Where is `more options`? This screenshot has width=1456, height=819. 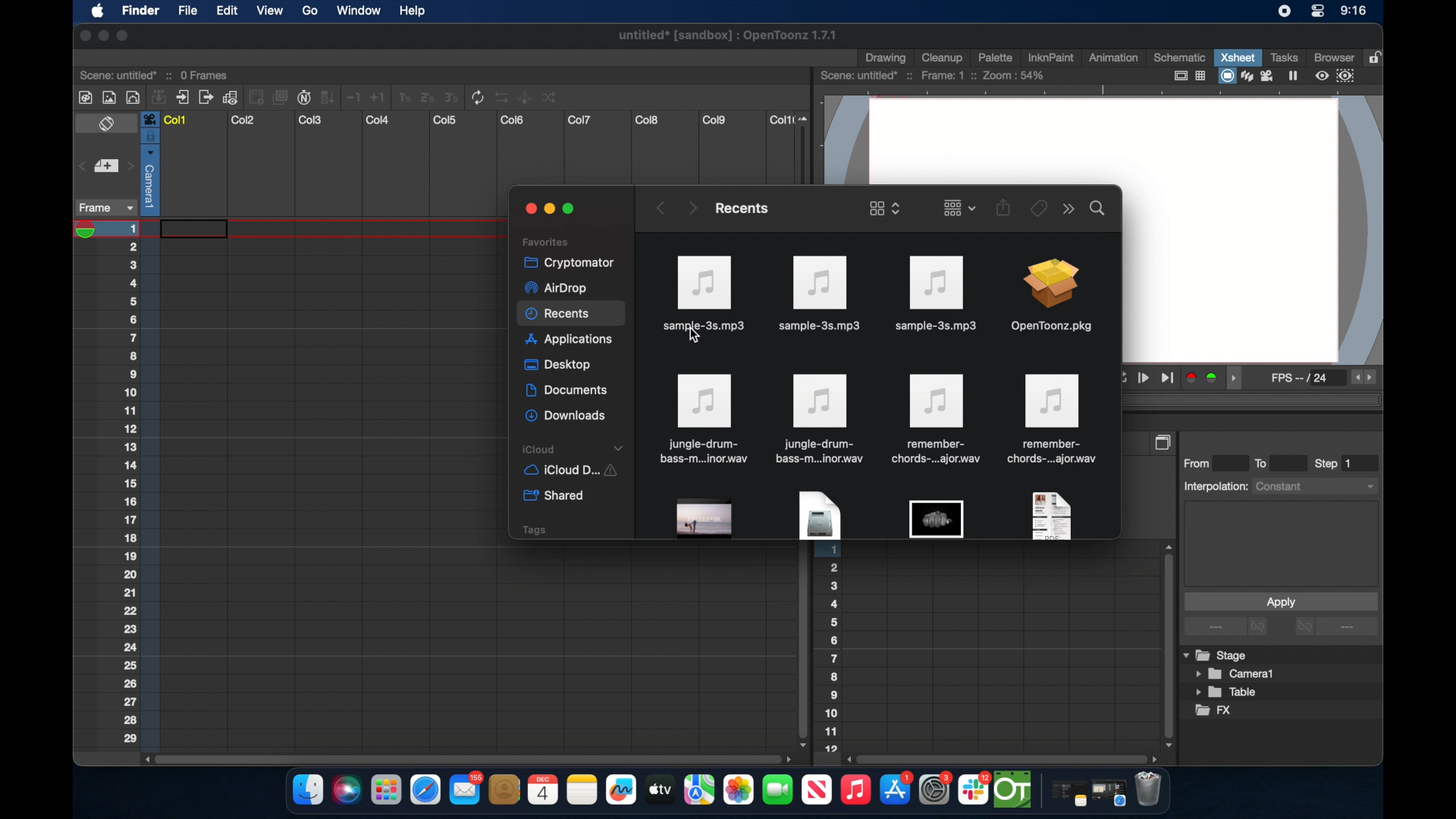 more options is located at coordinates (1068, 209).